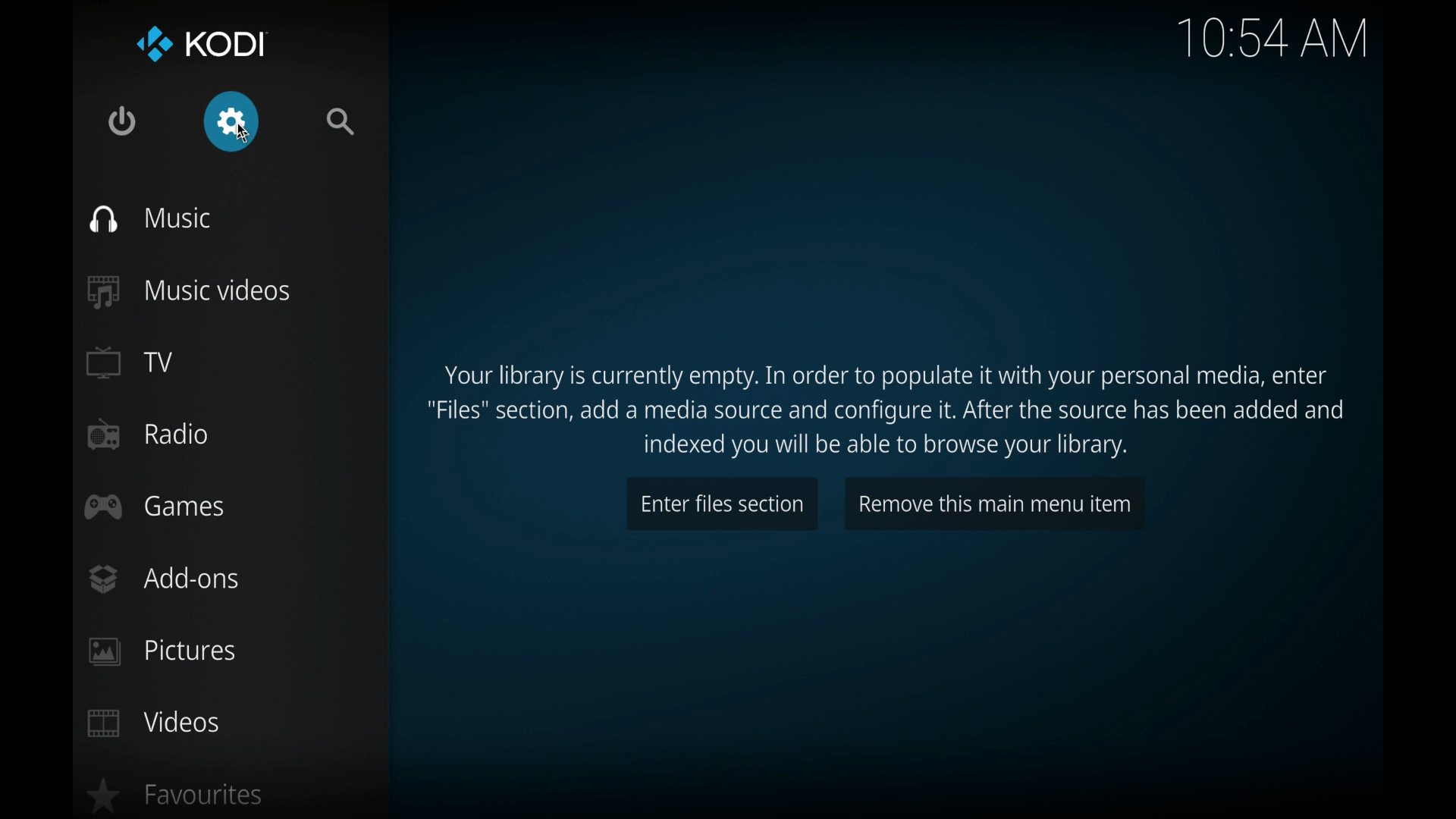 The height and width of the screenshot is (819, 1456). Describe the element at coordinates (199, 45) in the screenshot. I see `kodi` at that location.